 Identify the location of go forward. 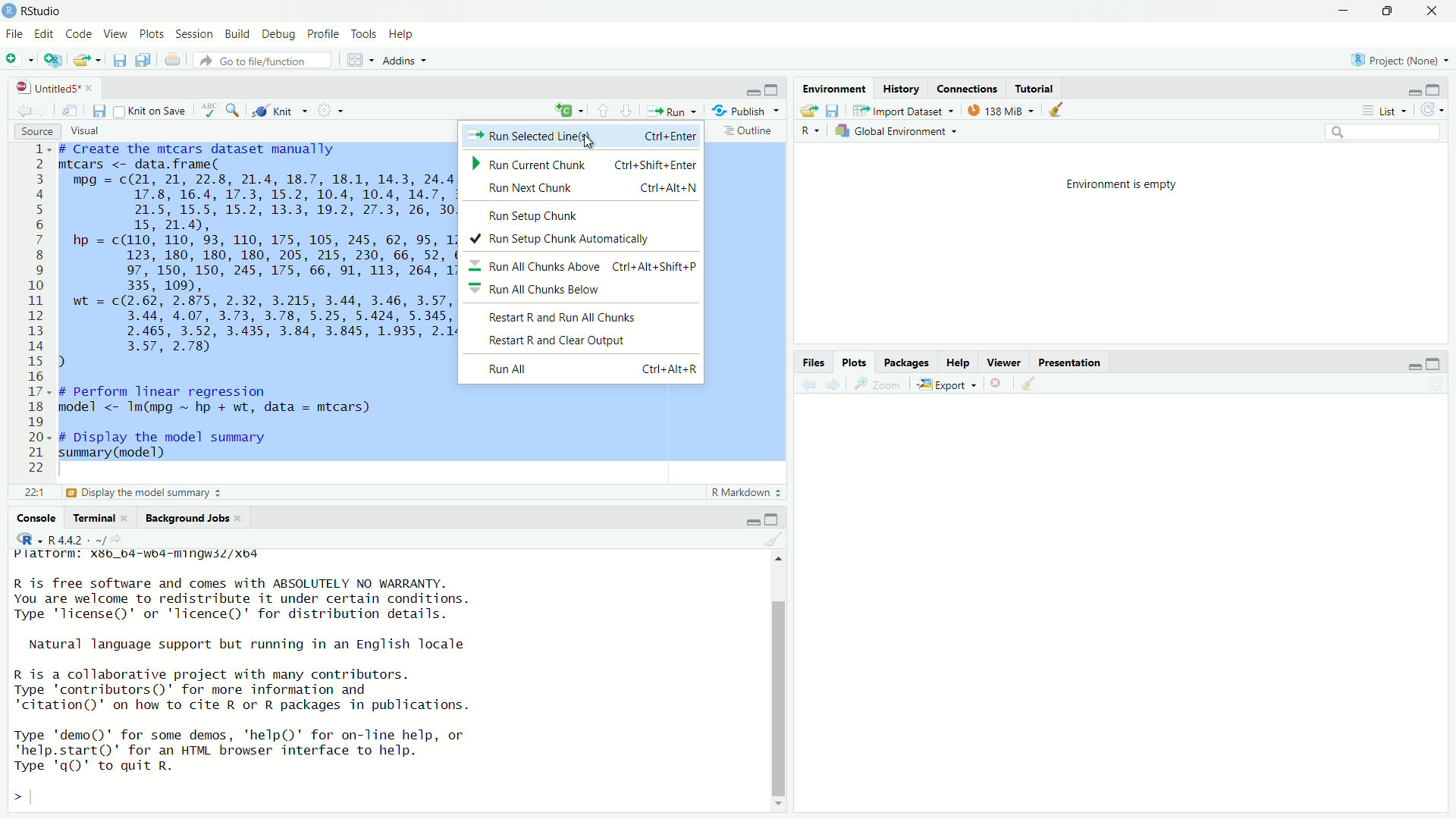
(43, 112).